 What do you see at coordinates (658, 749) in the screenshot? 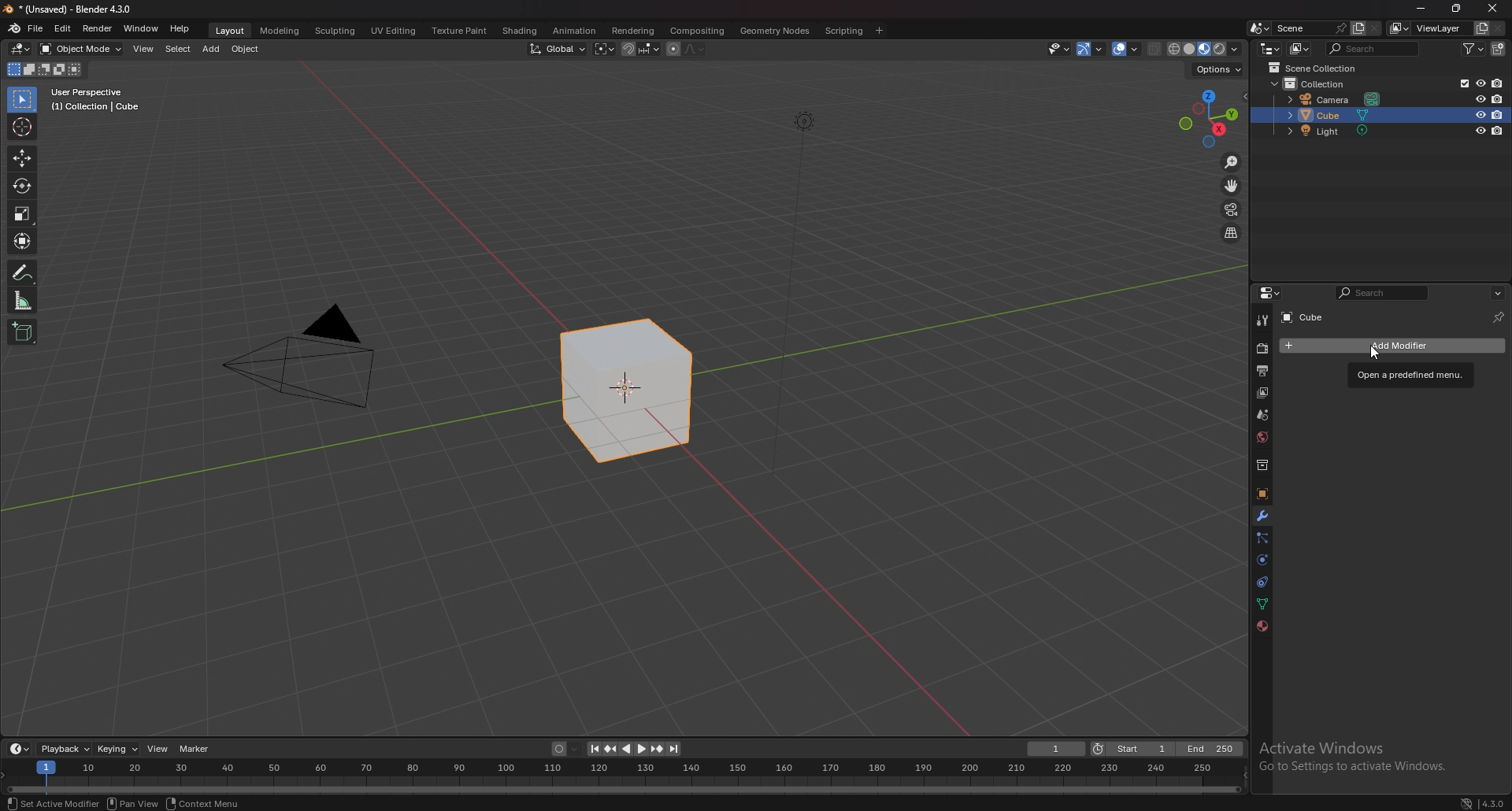
I see `jump to keyframe` at bounding box center [658, 749].